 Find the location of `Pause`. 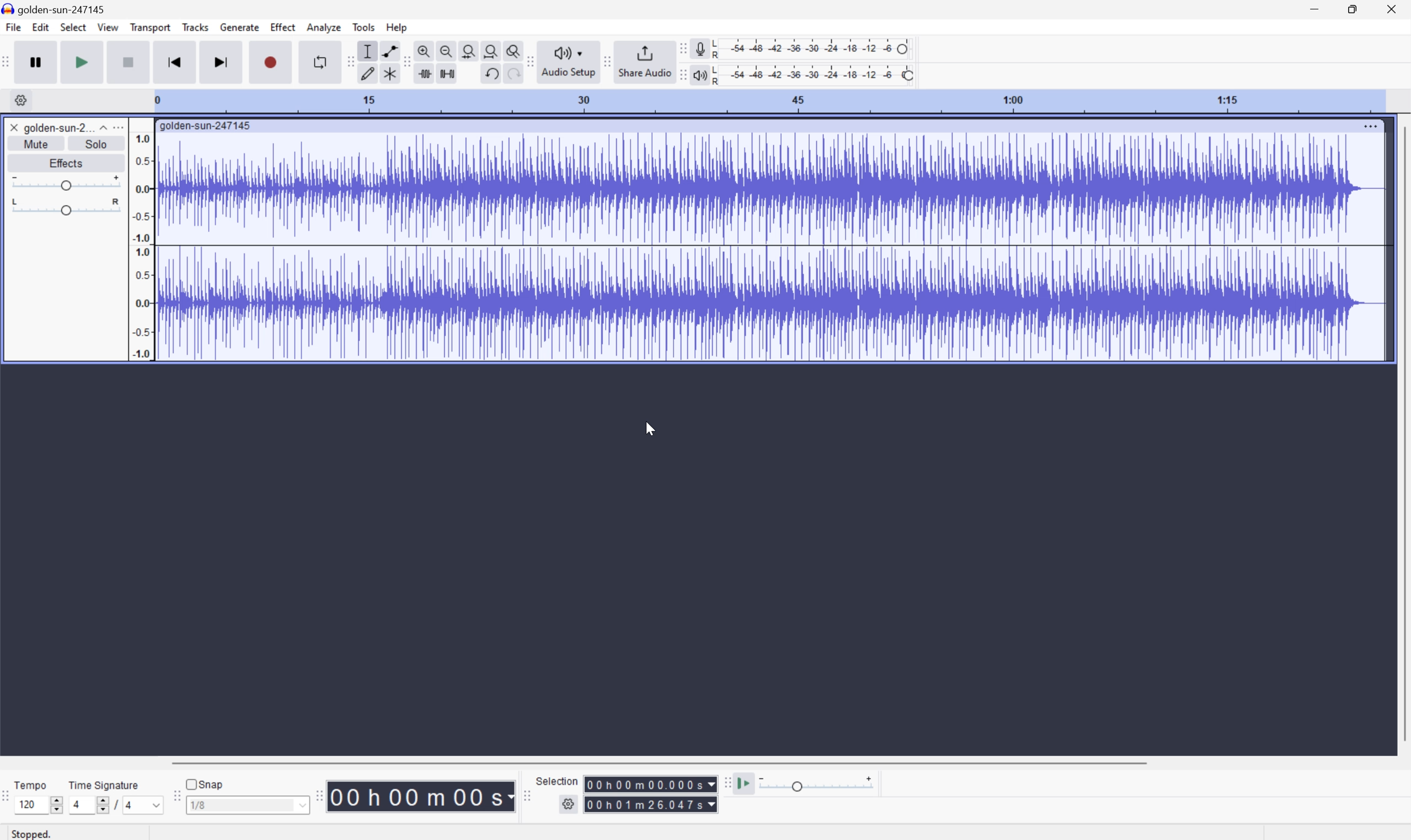

Pause is located at coordinates (40, 62).